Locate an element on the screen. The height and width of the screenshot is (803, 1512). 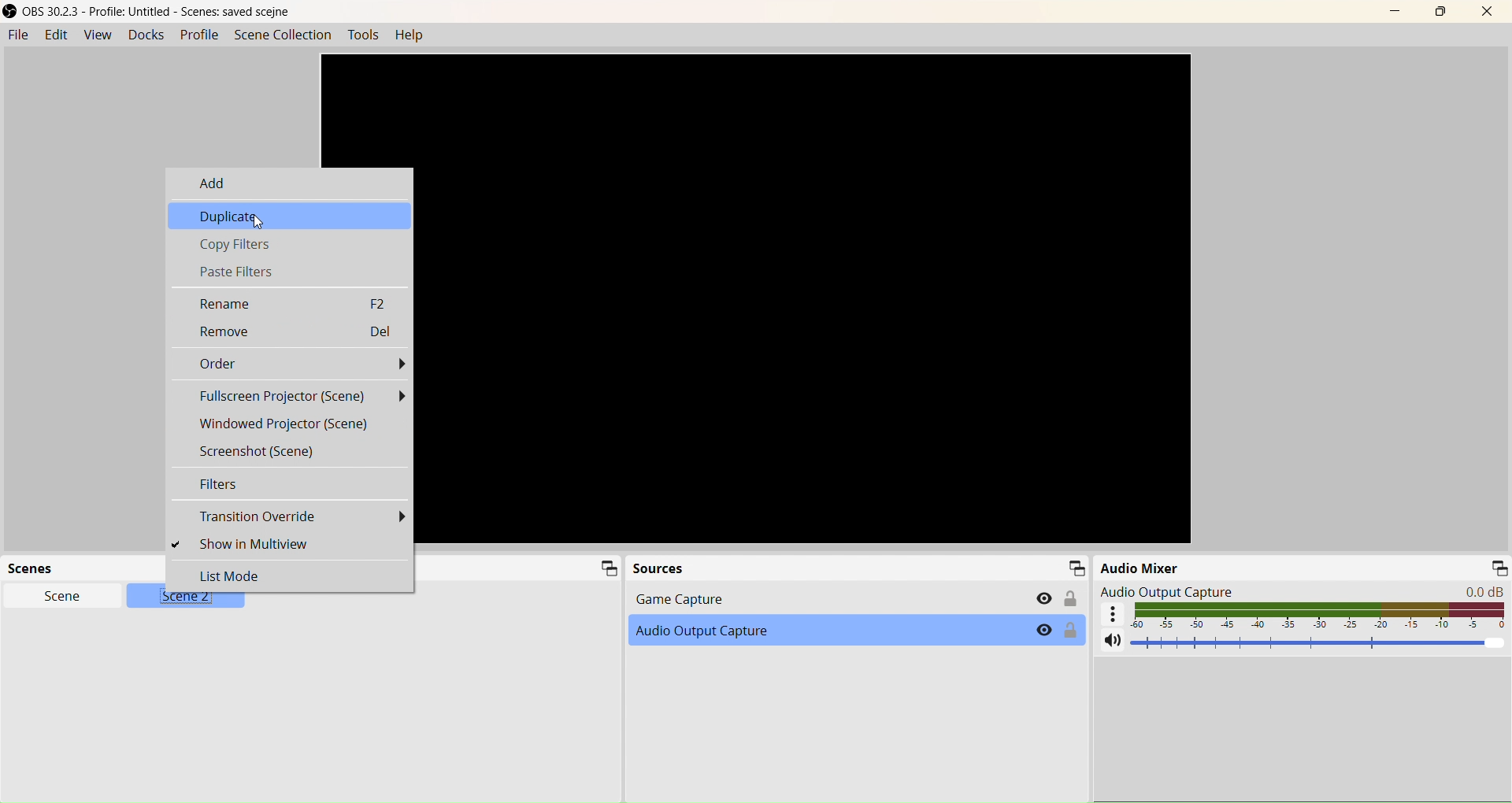
View is located at coordinates (97, 34).